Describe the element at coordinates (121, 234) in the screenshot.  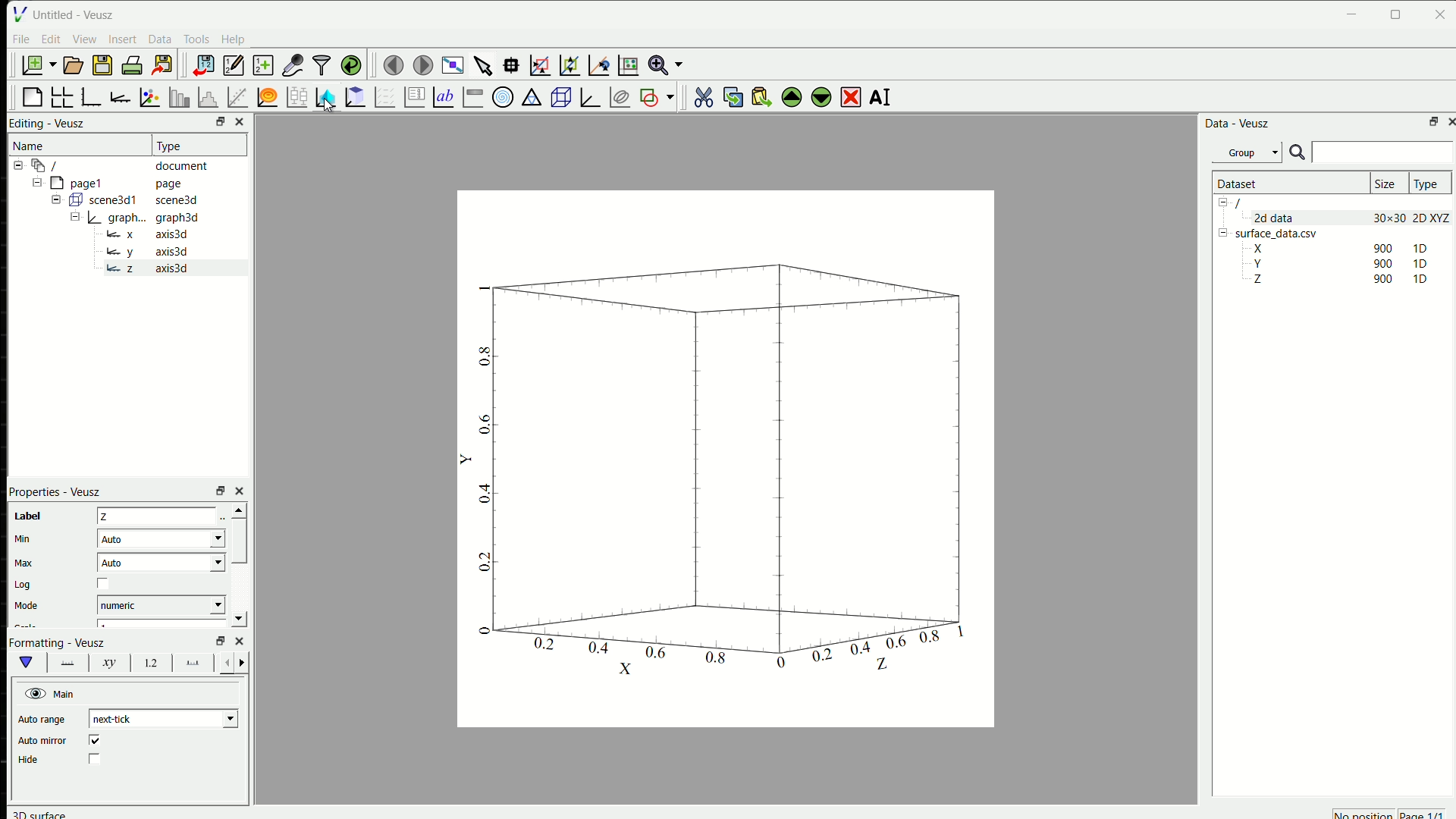
I see `x` at that location.